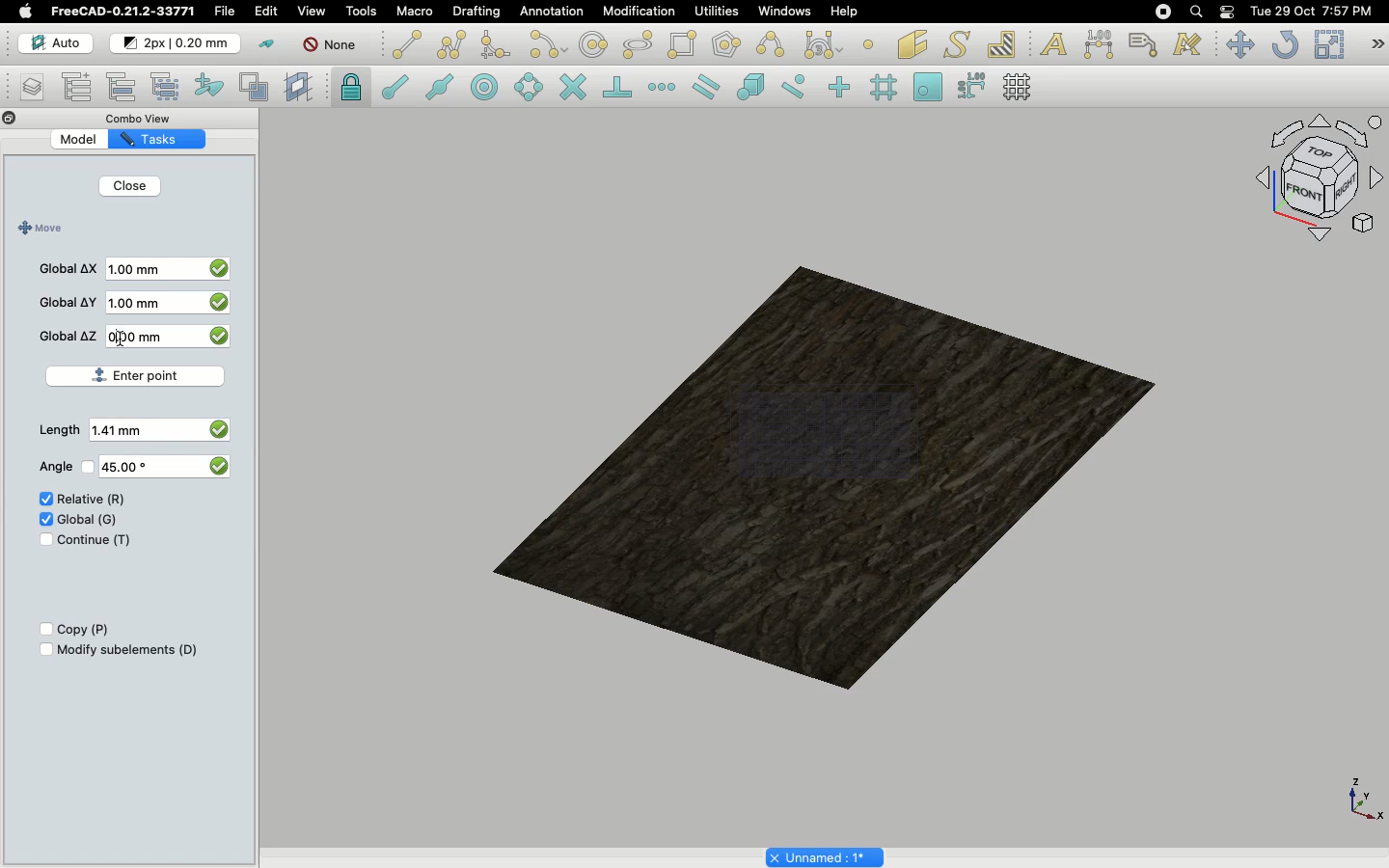 The height and width of the screenshot is (868, 1389). I want to click on Polyline, so click(451, 44).